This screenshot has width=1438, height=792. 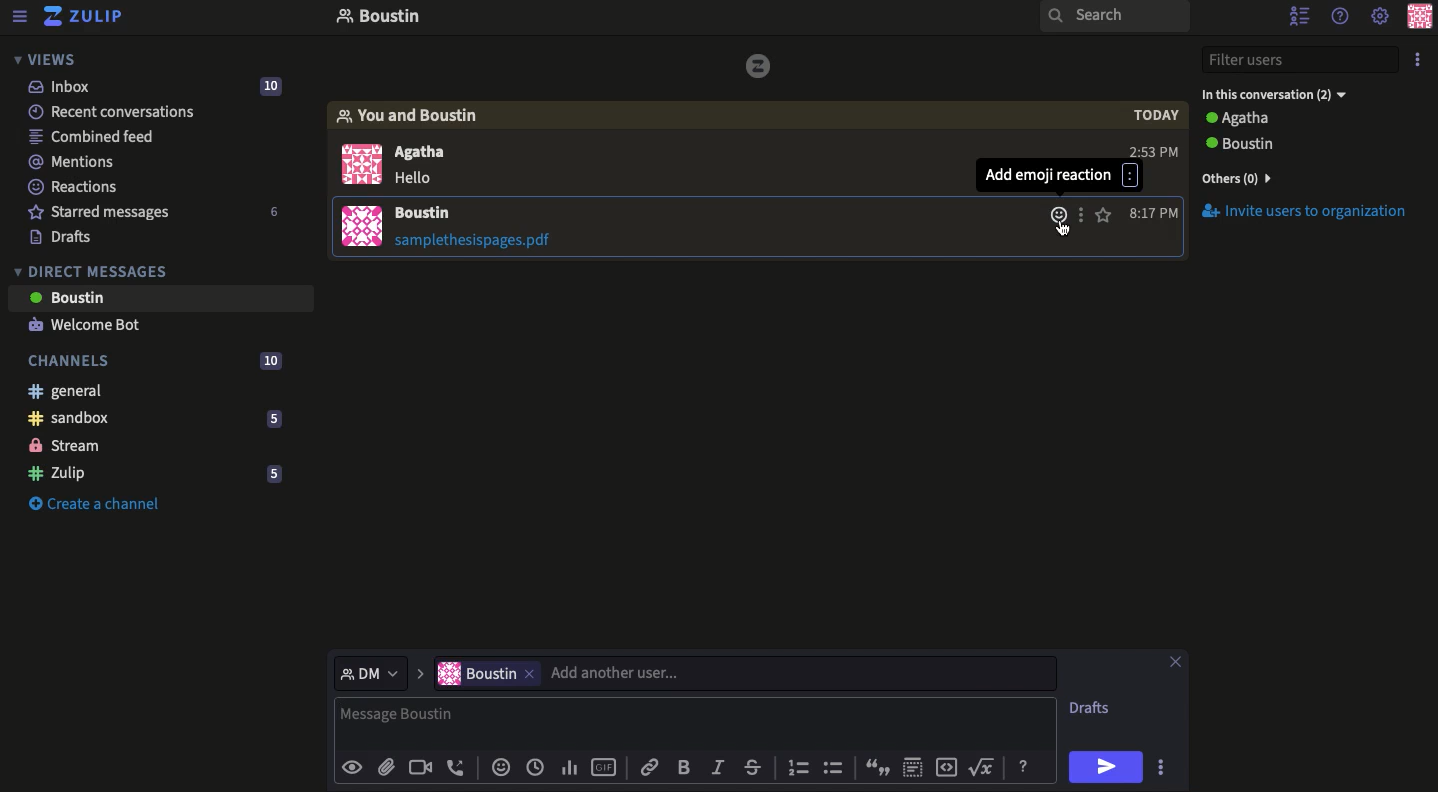 What do you see at coordinates (417, 114) in the screenshot?
I see `You and boustin` at bounding box center [417, 114].